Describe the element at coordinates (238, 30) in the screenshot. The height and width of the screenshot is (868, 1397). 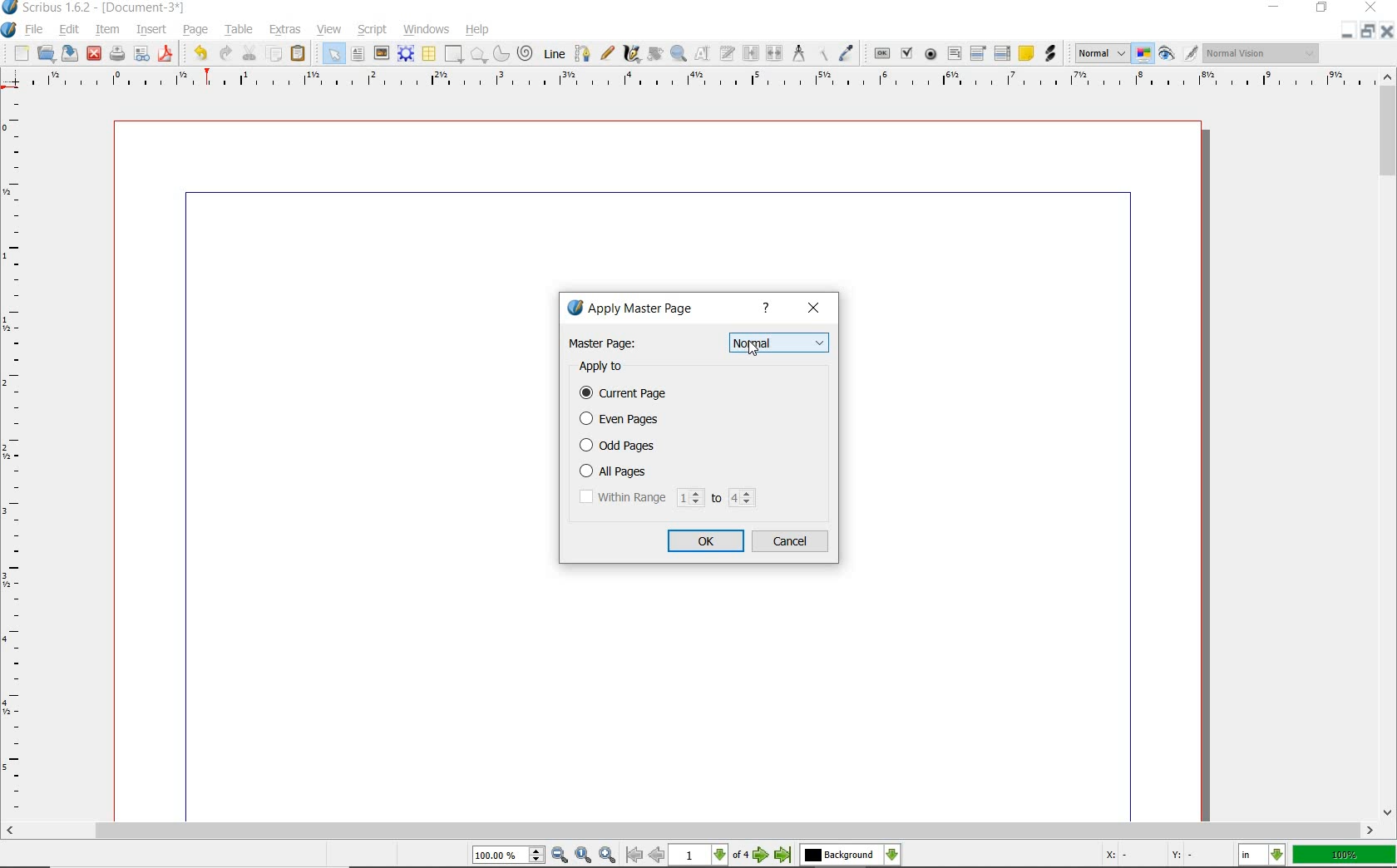
I see `table` at that location.